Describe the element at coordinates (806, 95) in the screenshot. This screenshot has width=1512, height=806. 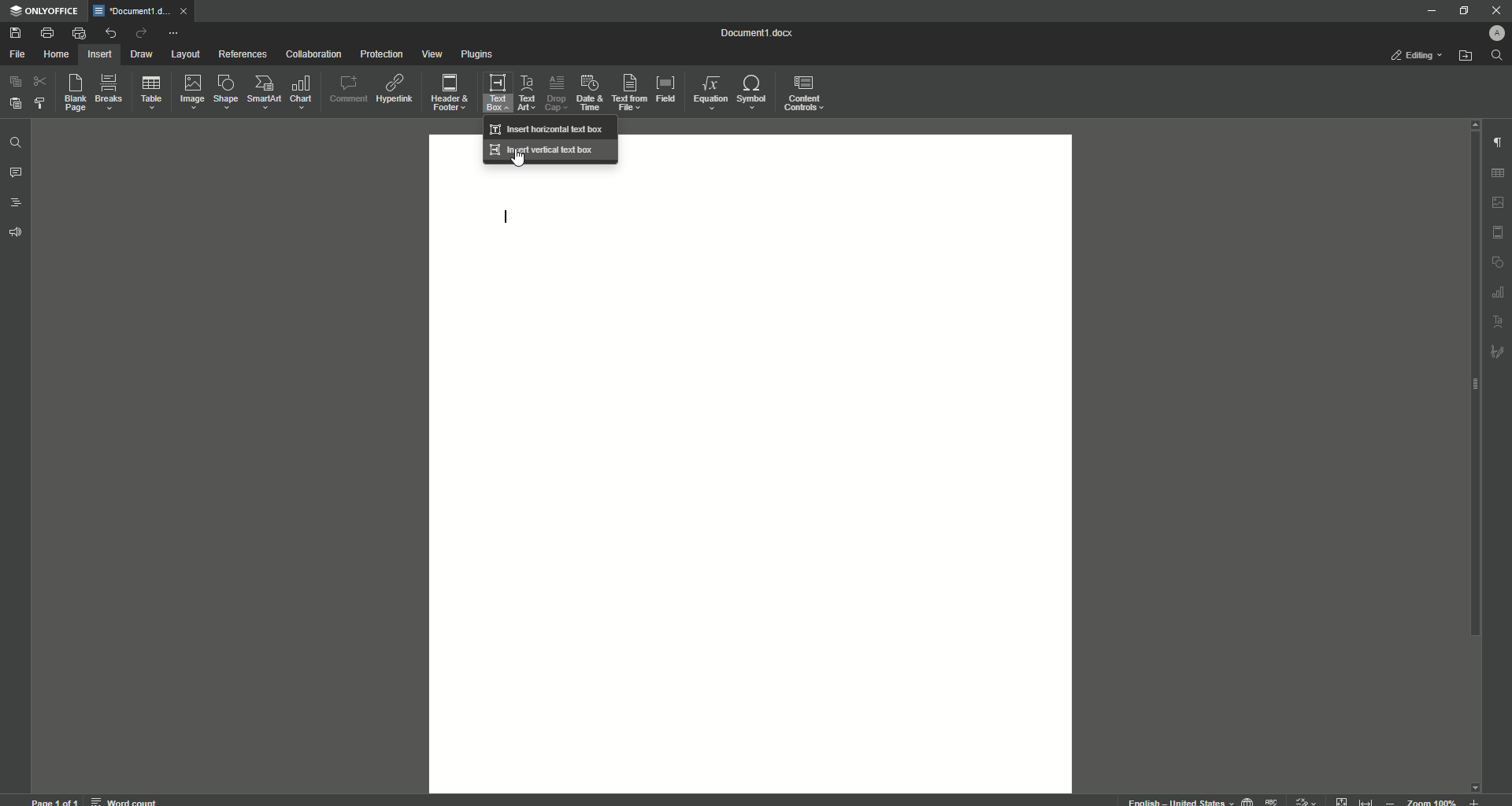
I see `Content Controls` at that location.